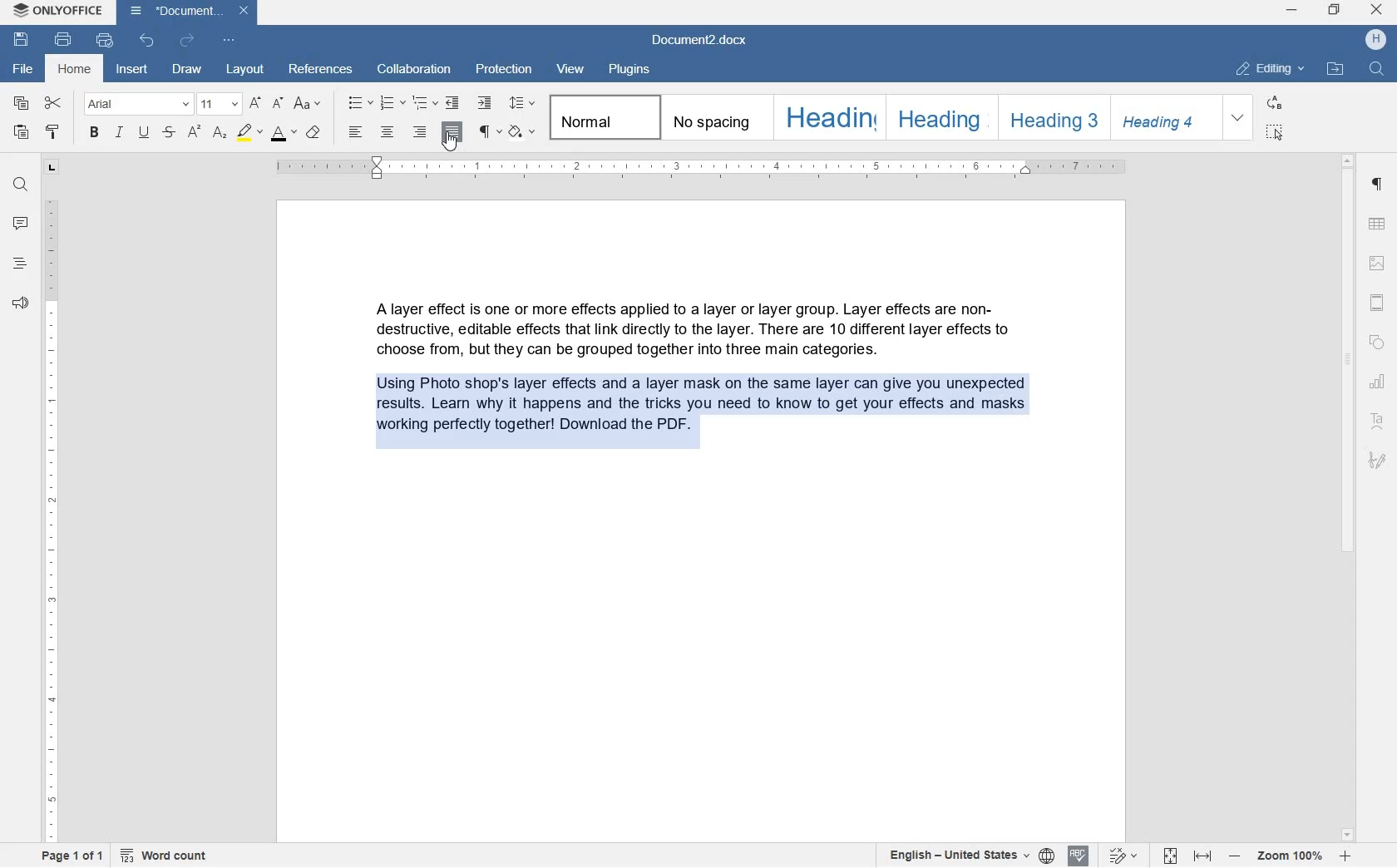  What do you see at coordinates (77, 71) in the screenshot?
I see `HOME` at bounding box center [77, 71].